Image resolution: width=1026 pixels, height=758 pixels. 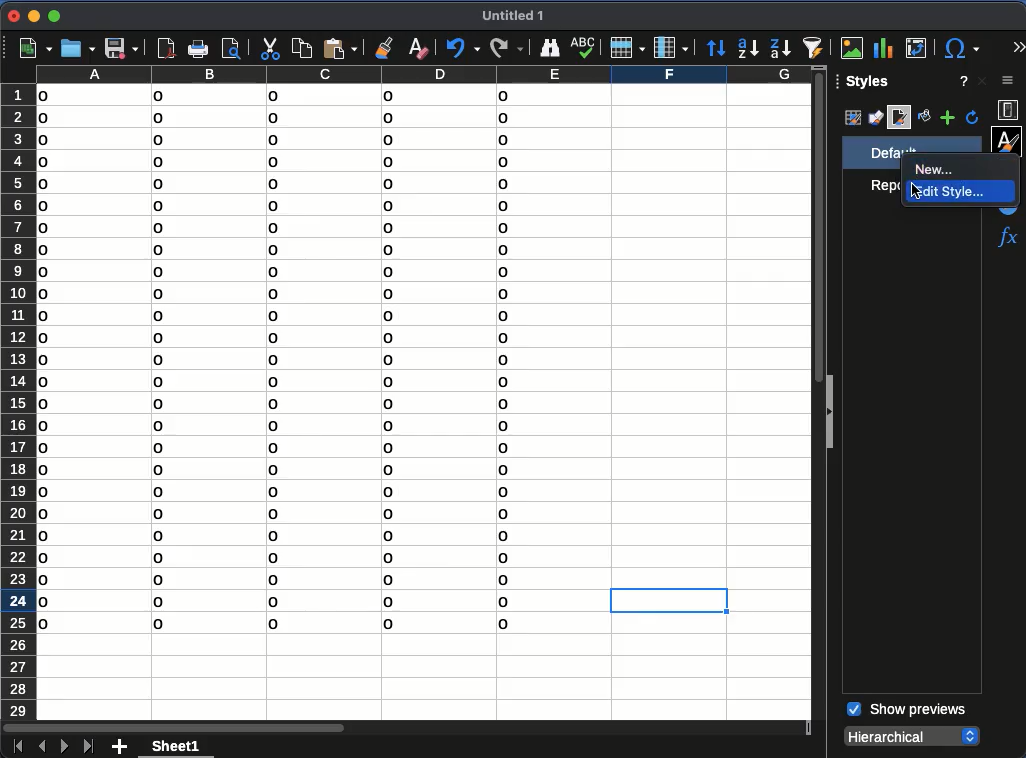 I want to click on clear formatting, so click(x=420, y=47).